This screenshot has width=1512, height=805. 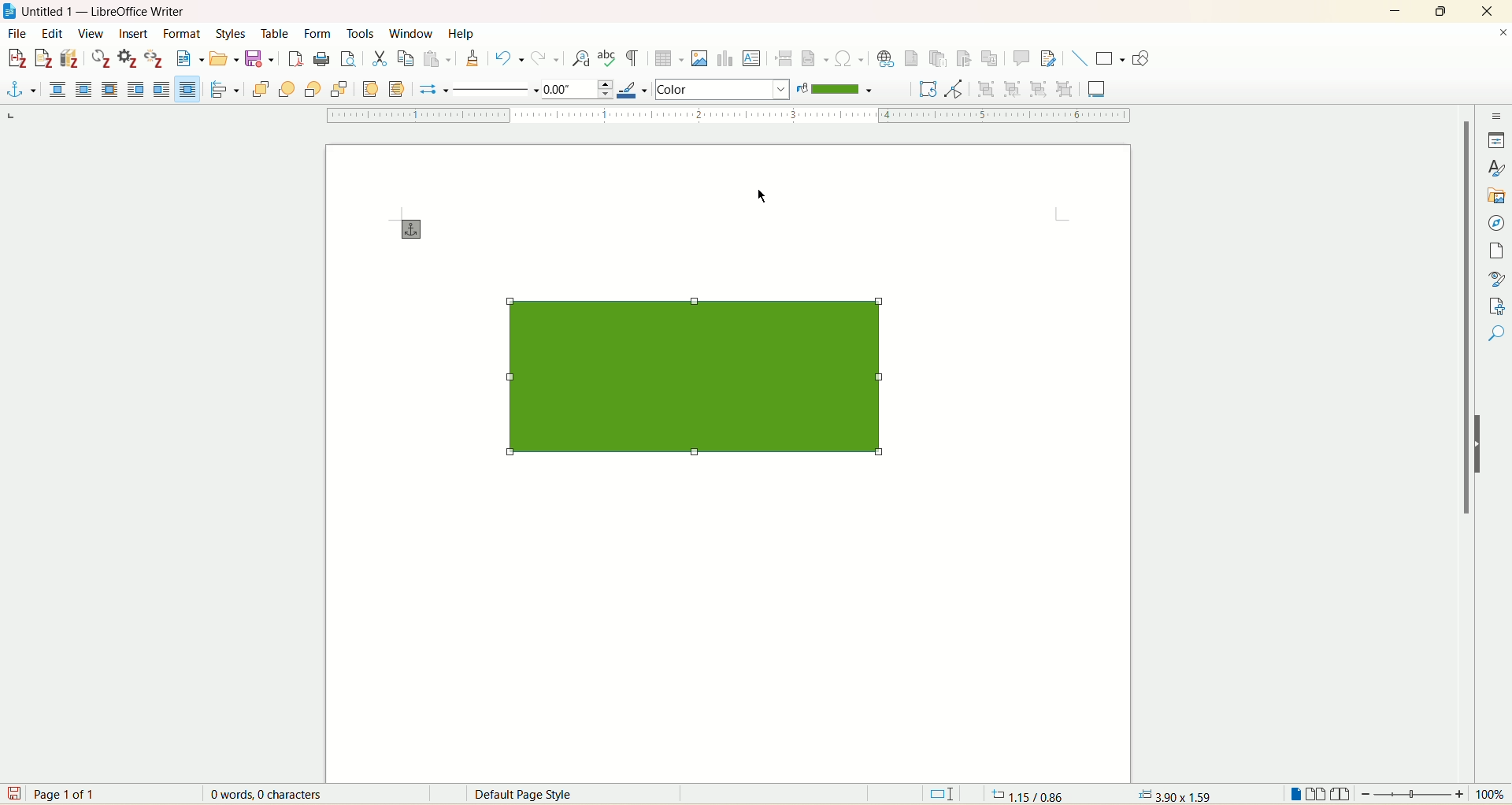 I want to click on to foreground, so click(x=369, y=88).